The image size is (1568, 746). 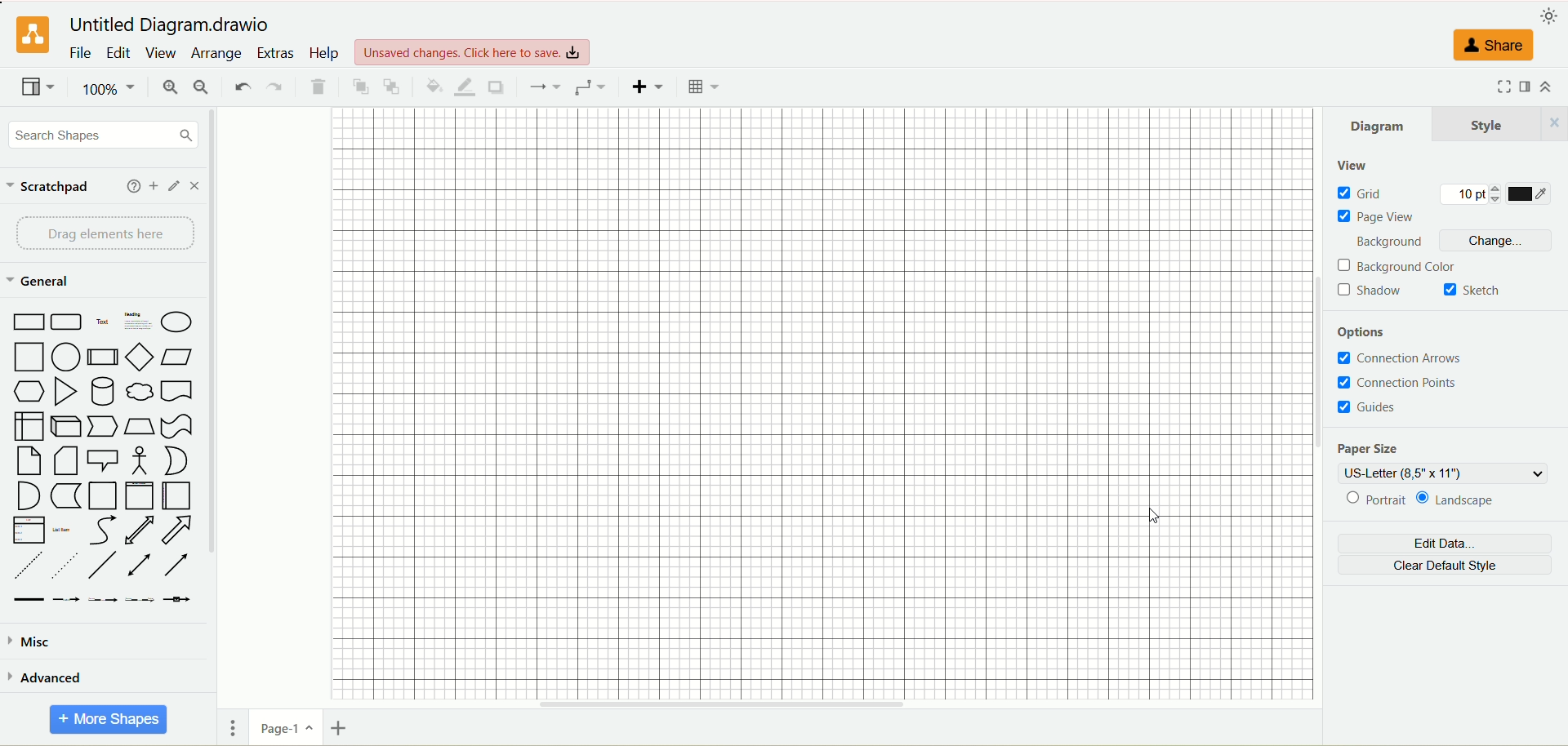 What do you see at coordinates (1531, 194) in the screenshot?
I see `color` at bounding box center [1531, 194].